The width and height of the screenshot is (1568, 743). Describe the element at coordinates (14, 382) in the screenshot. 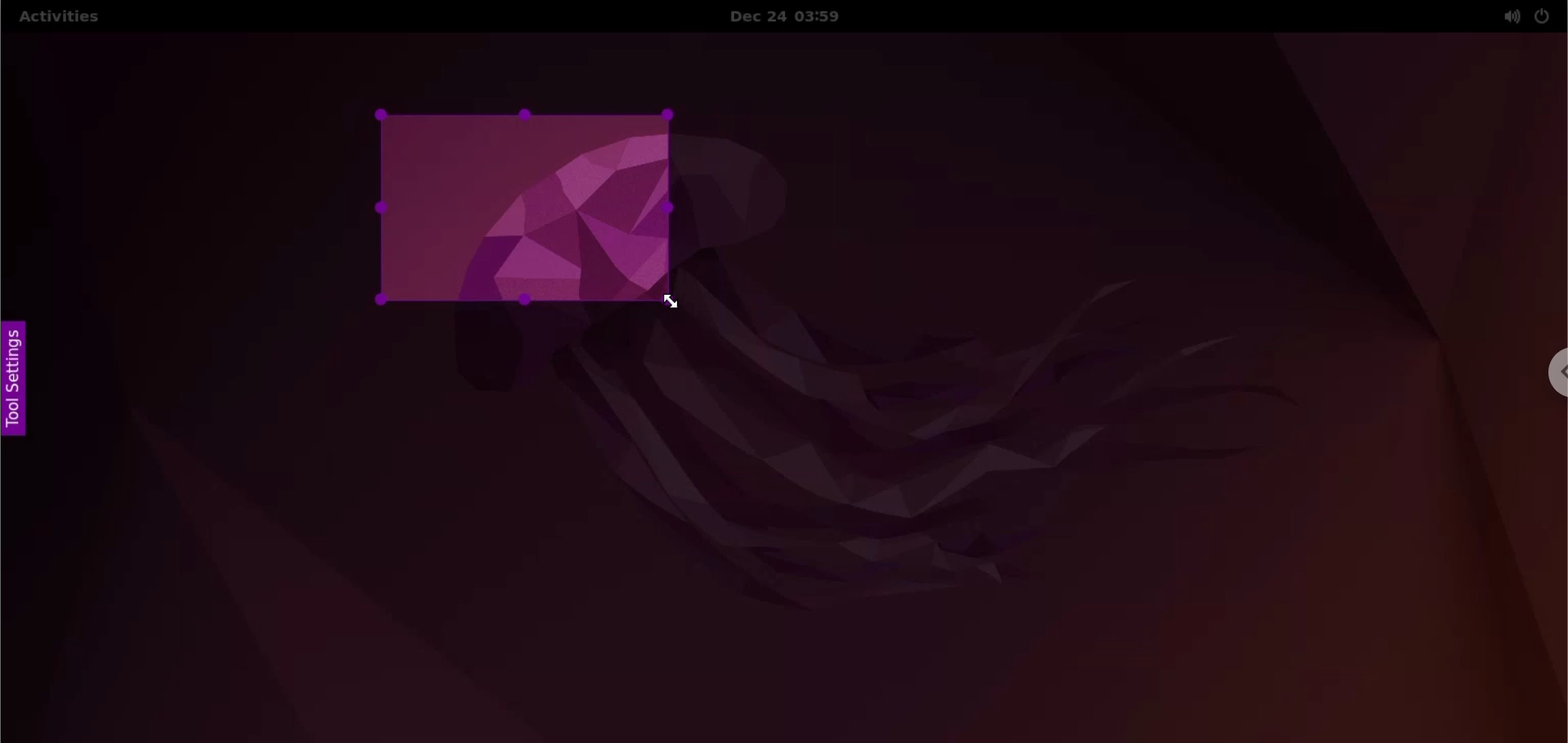

I see `tool settings ` at that location.